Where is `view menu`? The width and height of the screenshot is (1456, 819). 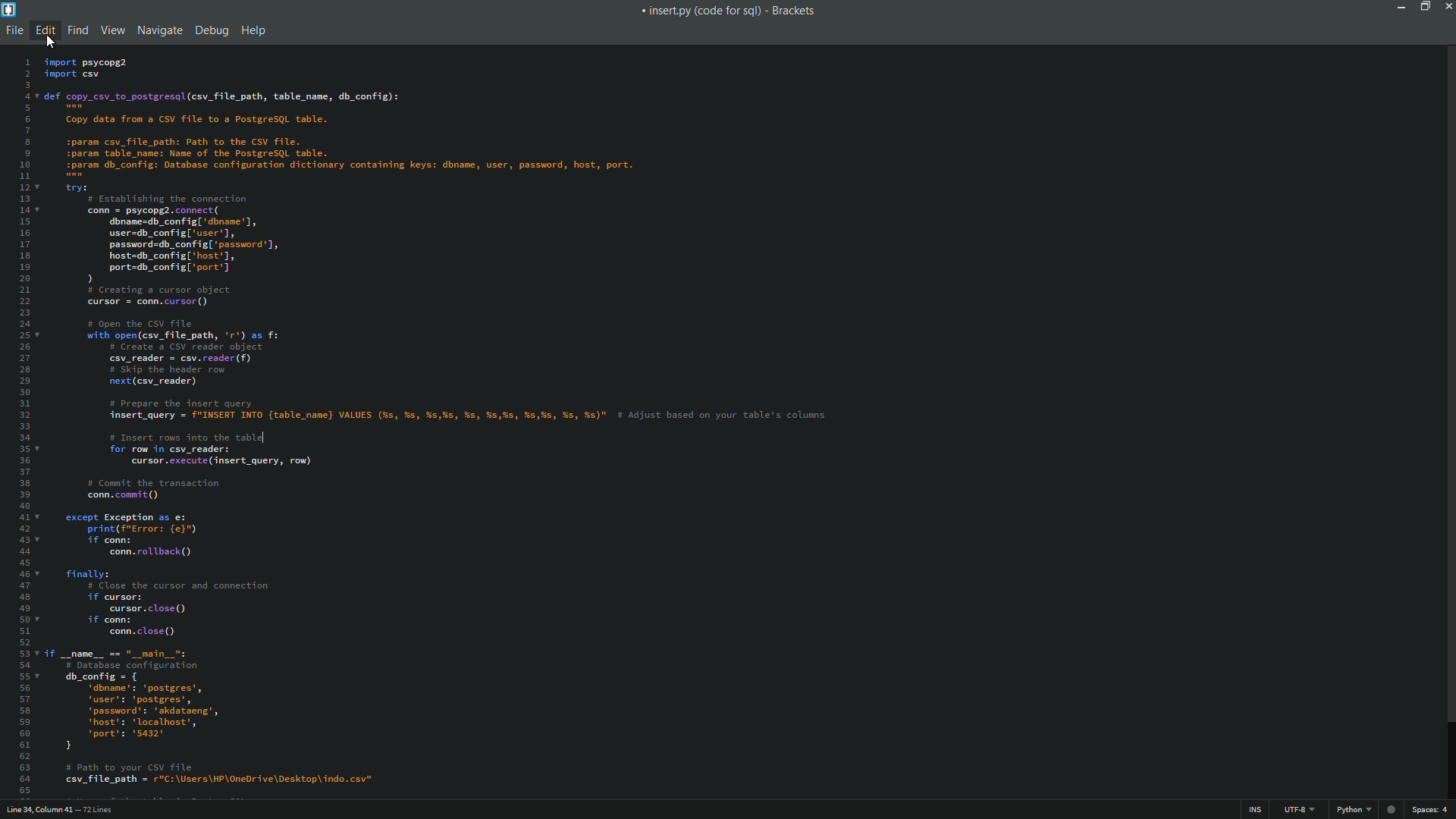 view menu is located at coordinates (111, 30).